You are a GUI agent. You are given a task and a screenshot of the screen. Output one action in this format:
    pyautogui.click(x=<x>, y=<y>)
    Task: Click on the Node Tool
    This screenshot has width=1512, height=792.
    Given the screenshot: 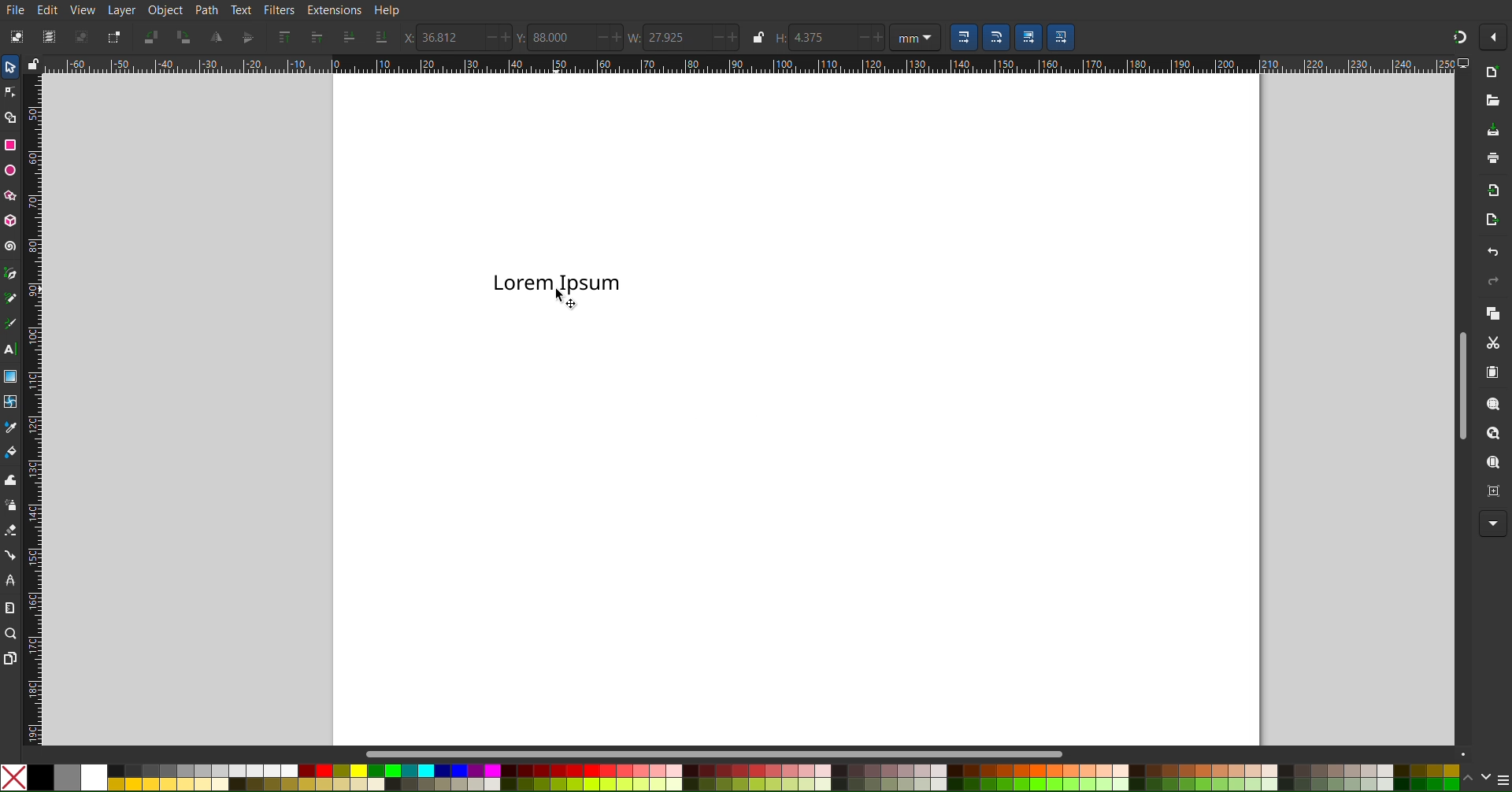 What is the action you would take?
    pyautogui.click(x=11, y=93)
    